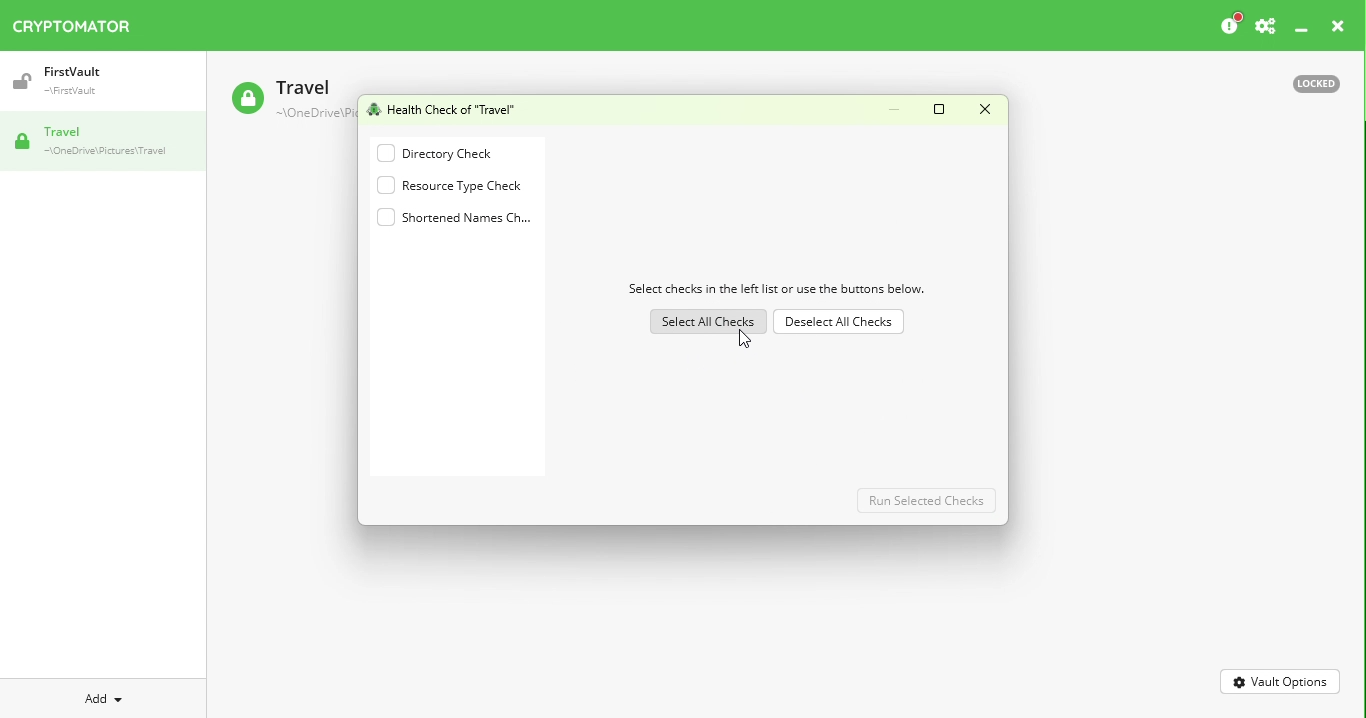 Image resolution: width=1366 pixels, height=718 pixels. I want to click on Resource type check, so click(468, 186).